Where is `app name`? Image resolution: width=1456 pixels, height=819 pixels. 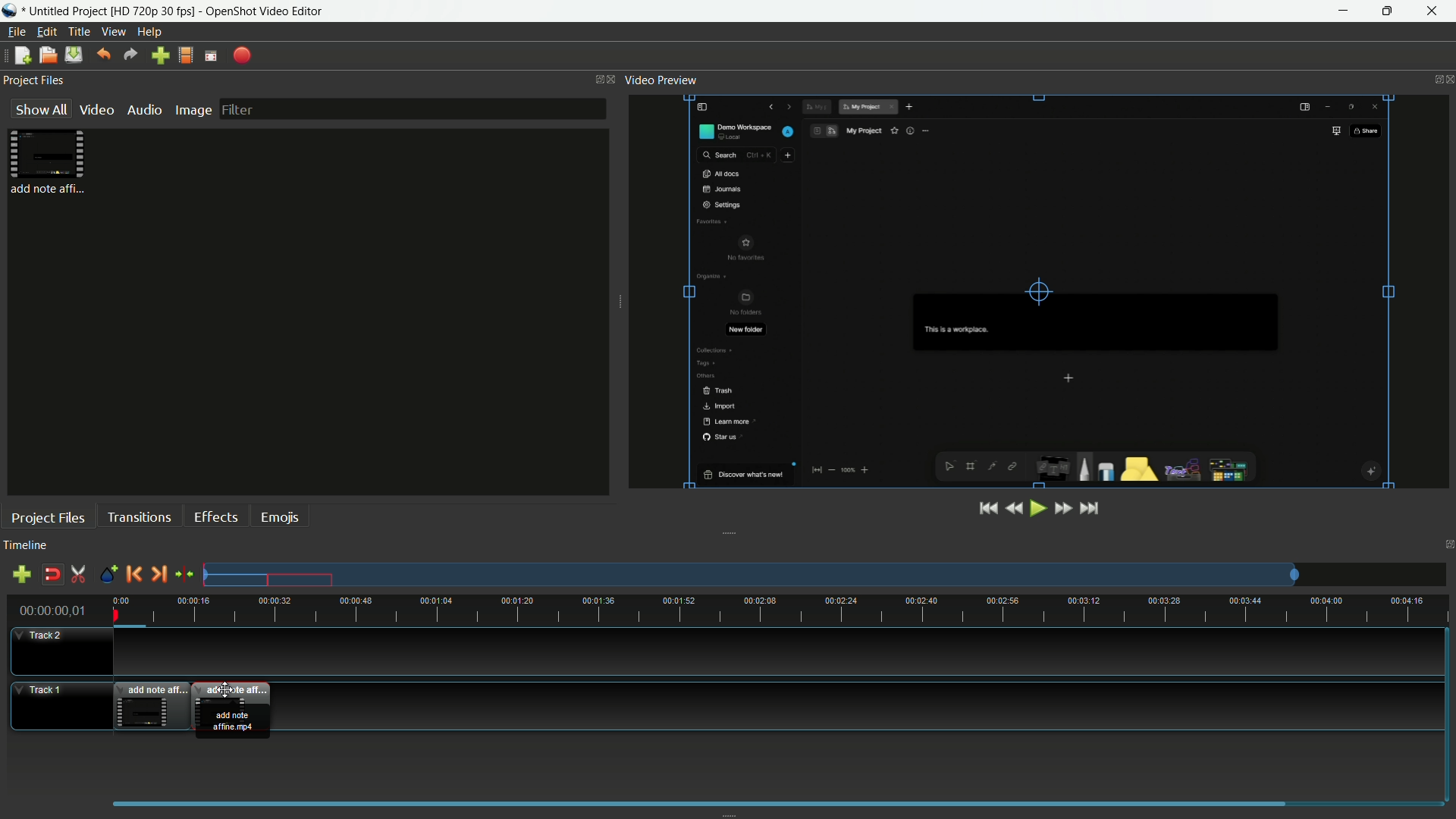 app name is located at coordinates (267, 11).